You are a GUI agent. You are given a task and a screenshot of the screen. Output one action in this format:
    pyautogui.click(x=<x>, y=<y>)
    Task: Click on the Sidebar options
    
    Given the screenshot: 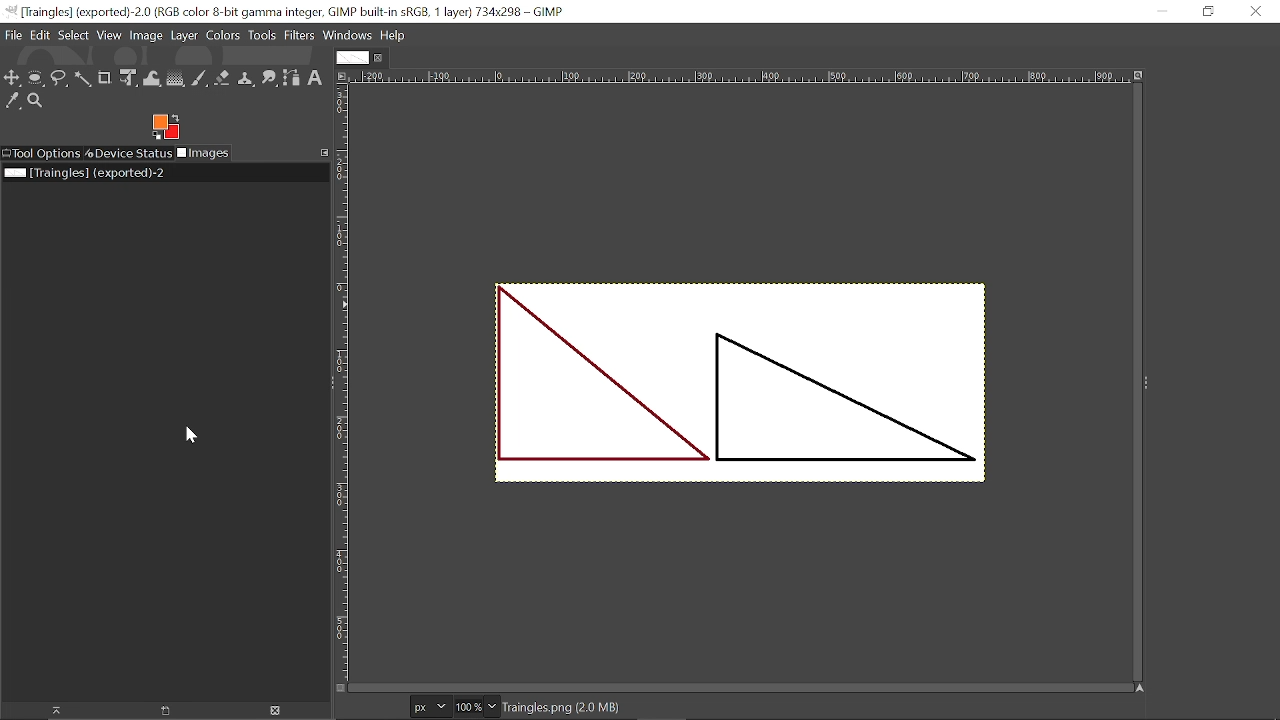 What is the action you would take?
    pyautogui.click(x=1147, y=381)
    